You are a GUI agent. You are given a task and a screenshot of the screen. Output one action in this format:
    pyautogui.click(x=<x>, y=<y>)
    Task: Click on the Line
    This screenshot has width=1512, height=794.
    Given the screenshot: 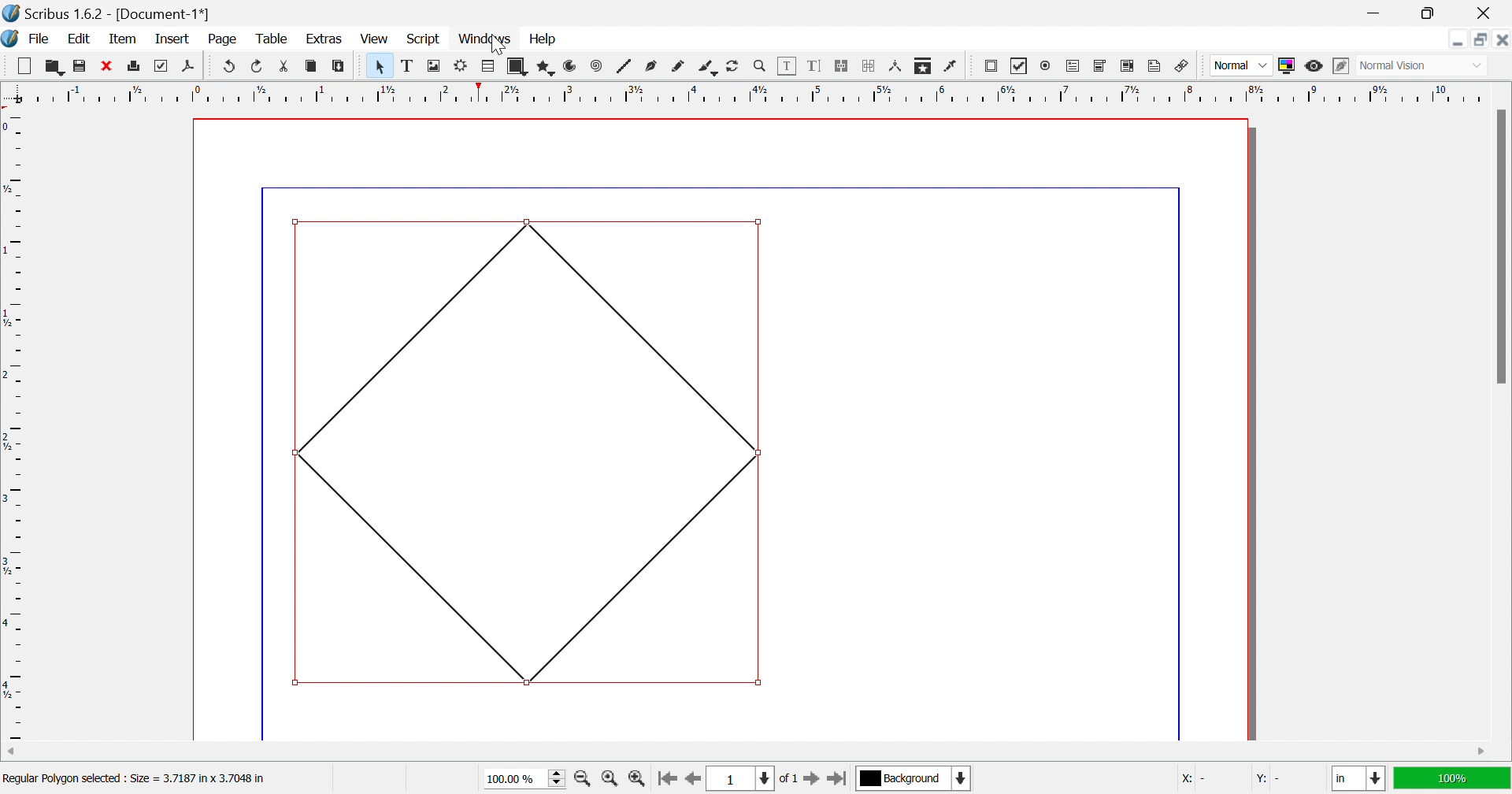 What is the action you would take?
    pyautogui.click(x=624, y=65)
    